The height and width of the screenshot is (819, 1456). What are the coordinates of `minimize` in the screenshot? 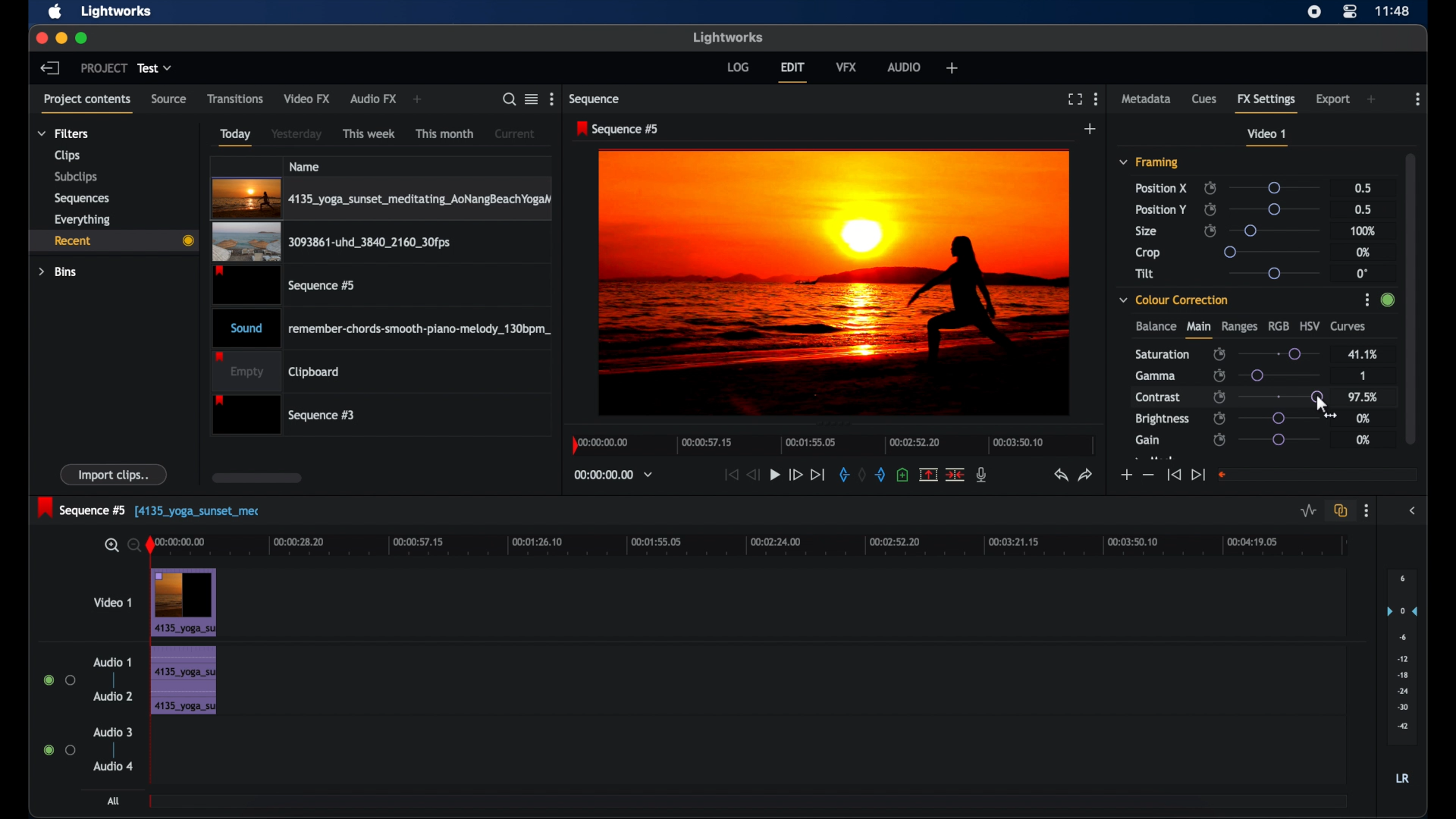 It's located at (58, 38).